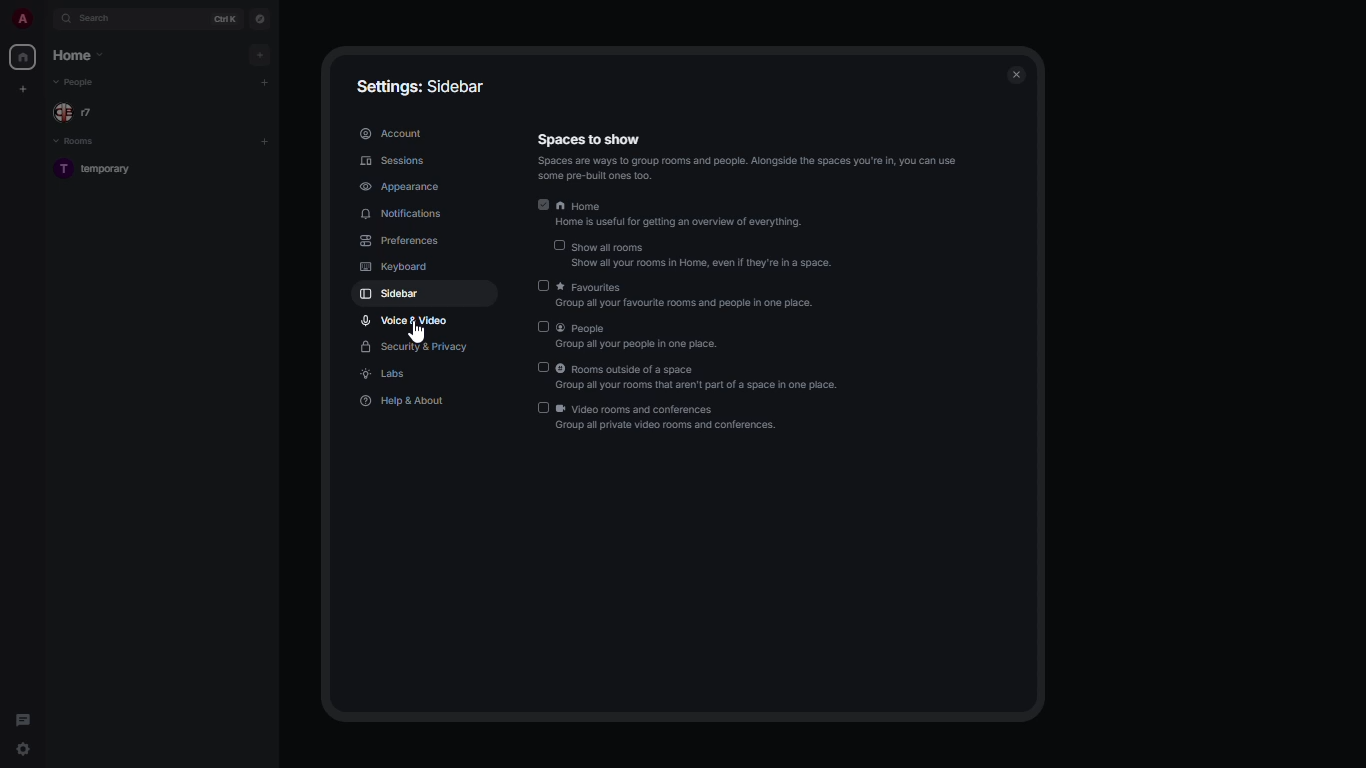 The width and height of the screenshot is (1366, 768). I want to click on , so click(544, 204).